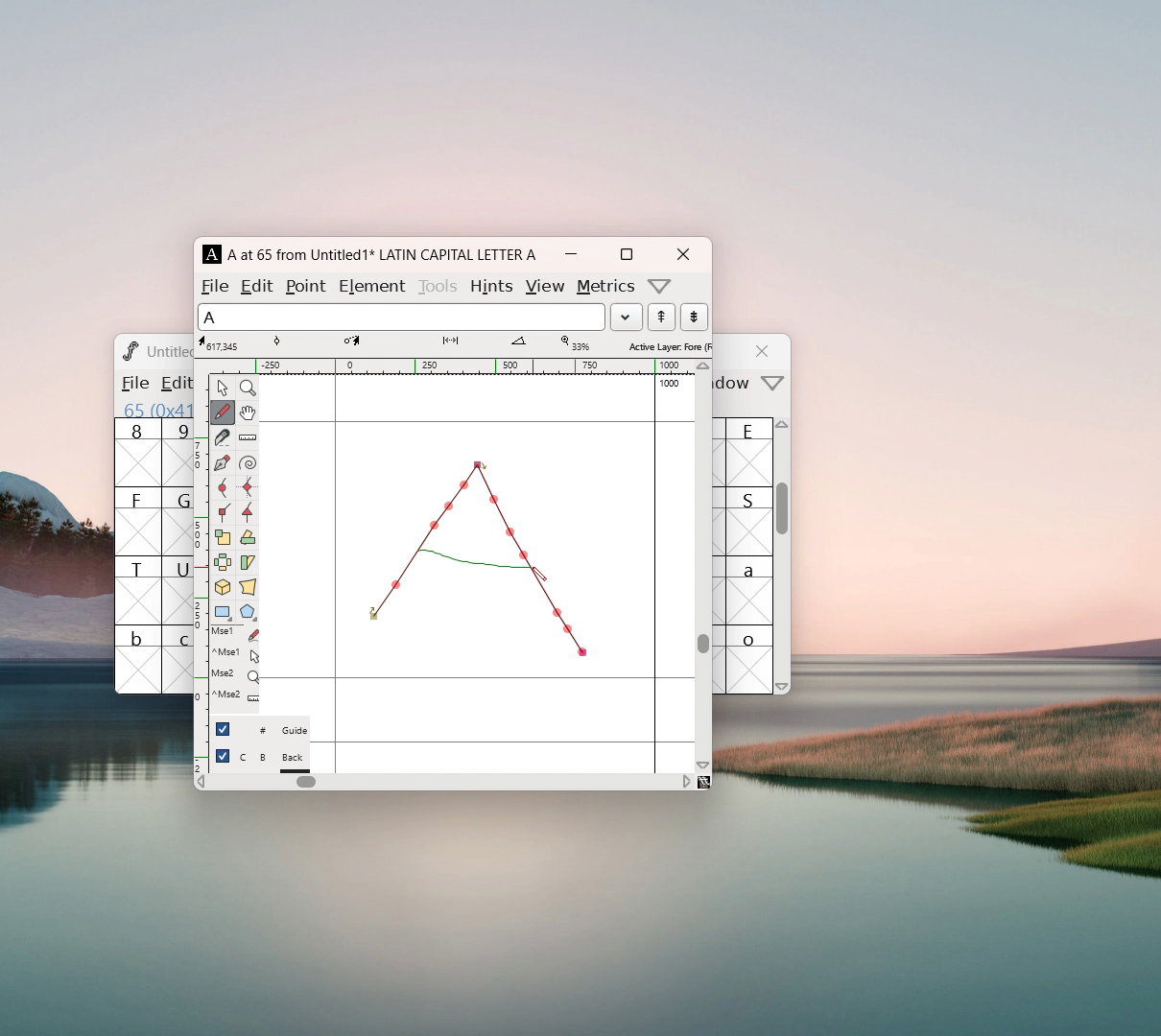  Describe the element at coordinates (223, 439) in the screenshot. I see `cut splines in two` at that location.